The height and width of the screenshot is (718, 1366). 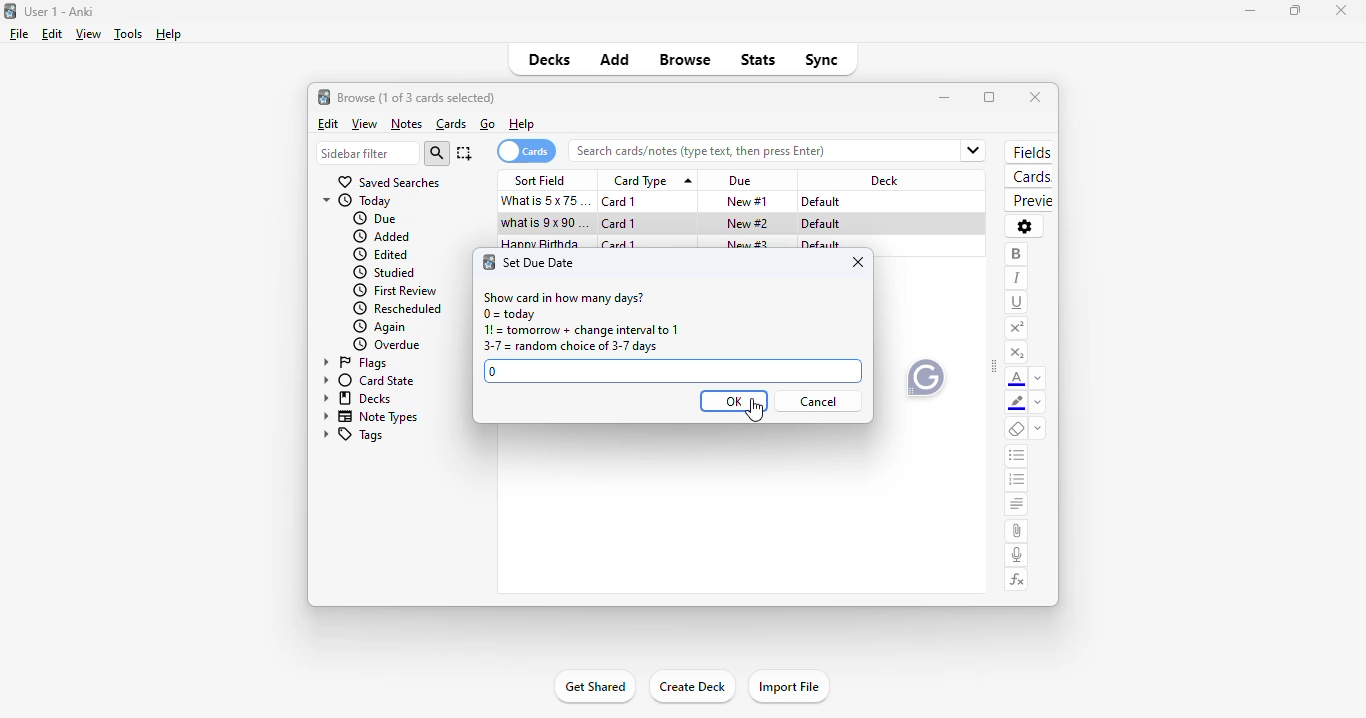 I want to click on today, so click(x=358, y=201).